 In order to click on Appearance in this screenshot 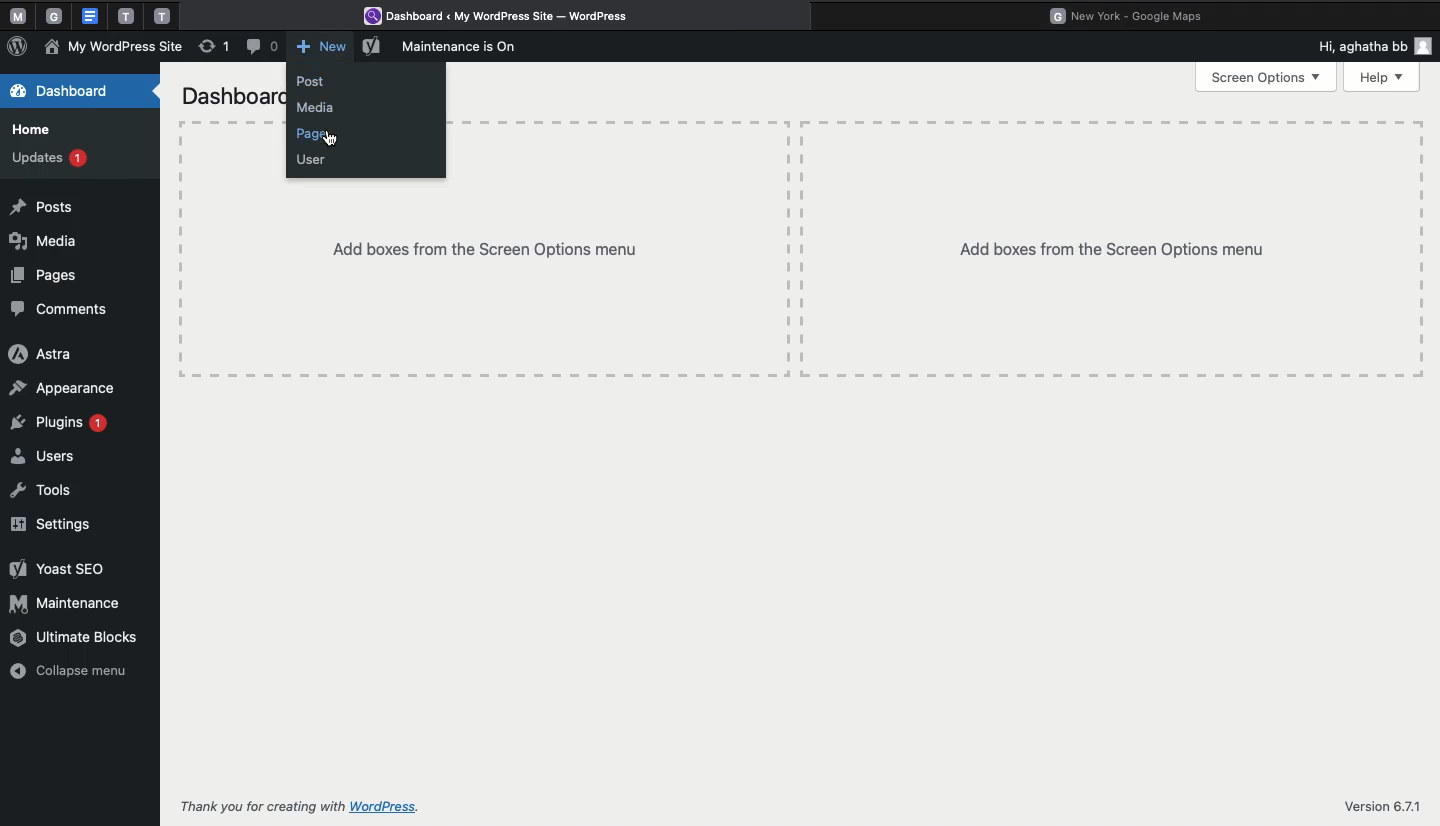, I will do `click(63, 388)`.